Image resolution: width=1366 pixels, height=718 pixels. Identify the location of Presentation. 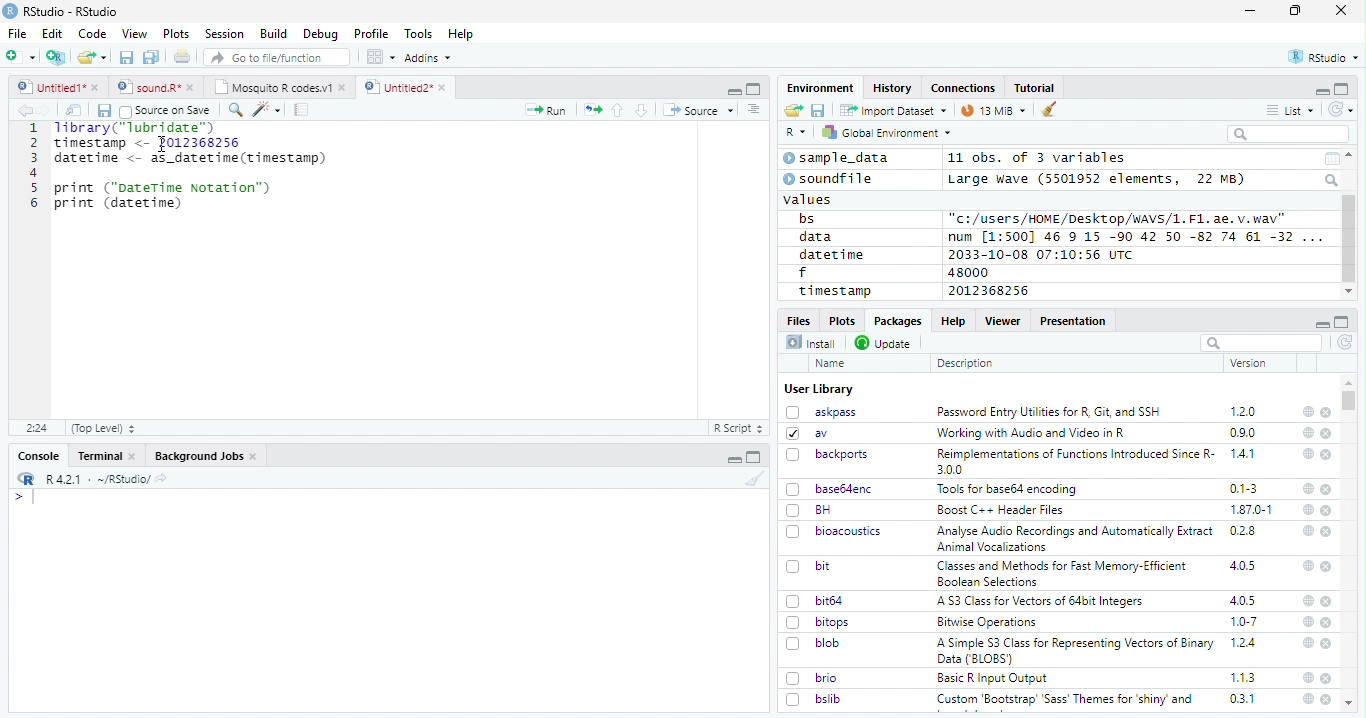
(1074, 321).